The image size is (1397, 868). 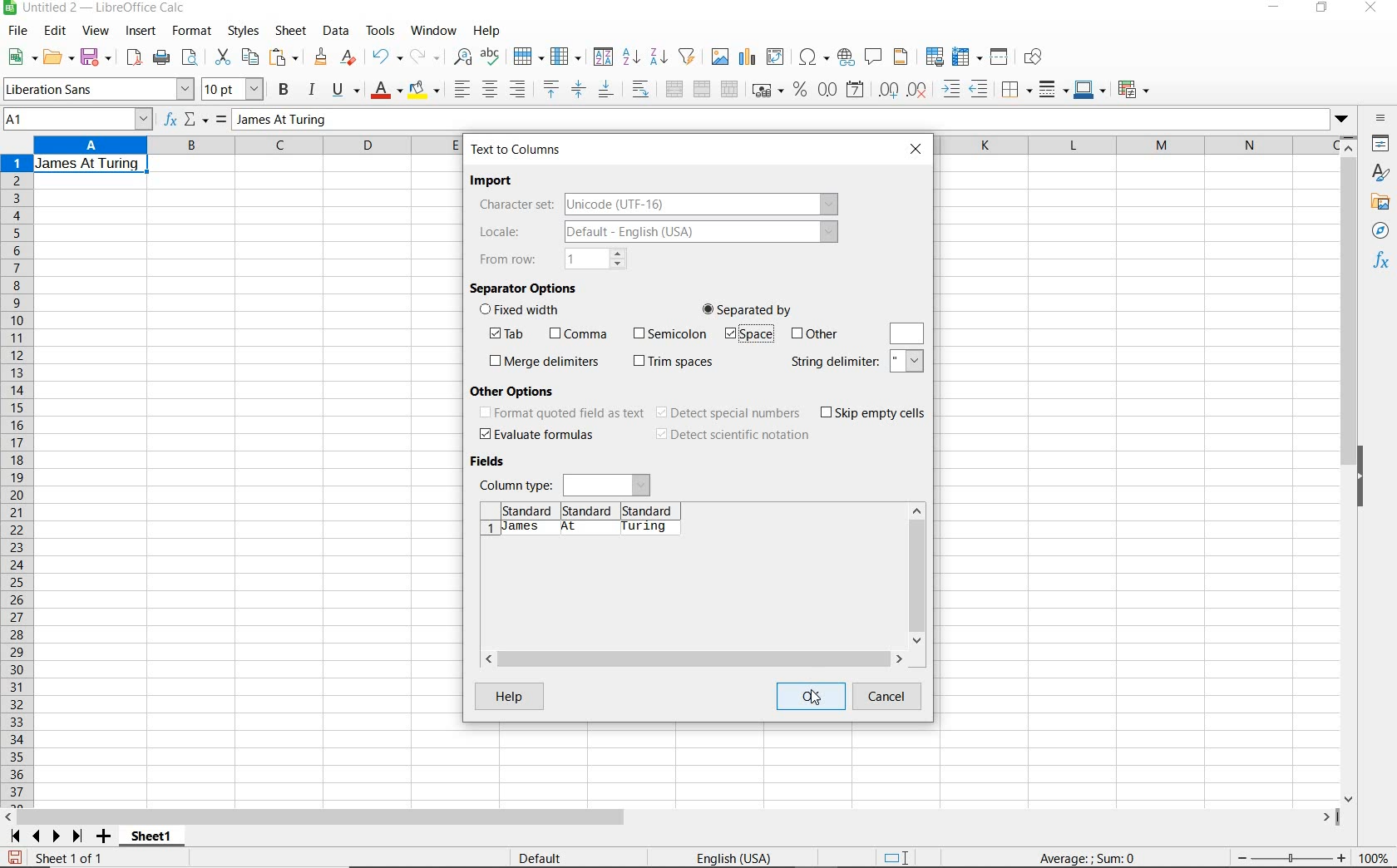 What do you see at coordinates (747, 335) in the screenshot?
I see `space` at bounding box center [747, 335].